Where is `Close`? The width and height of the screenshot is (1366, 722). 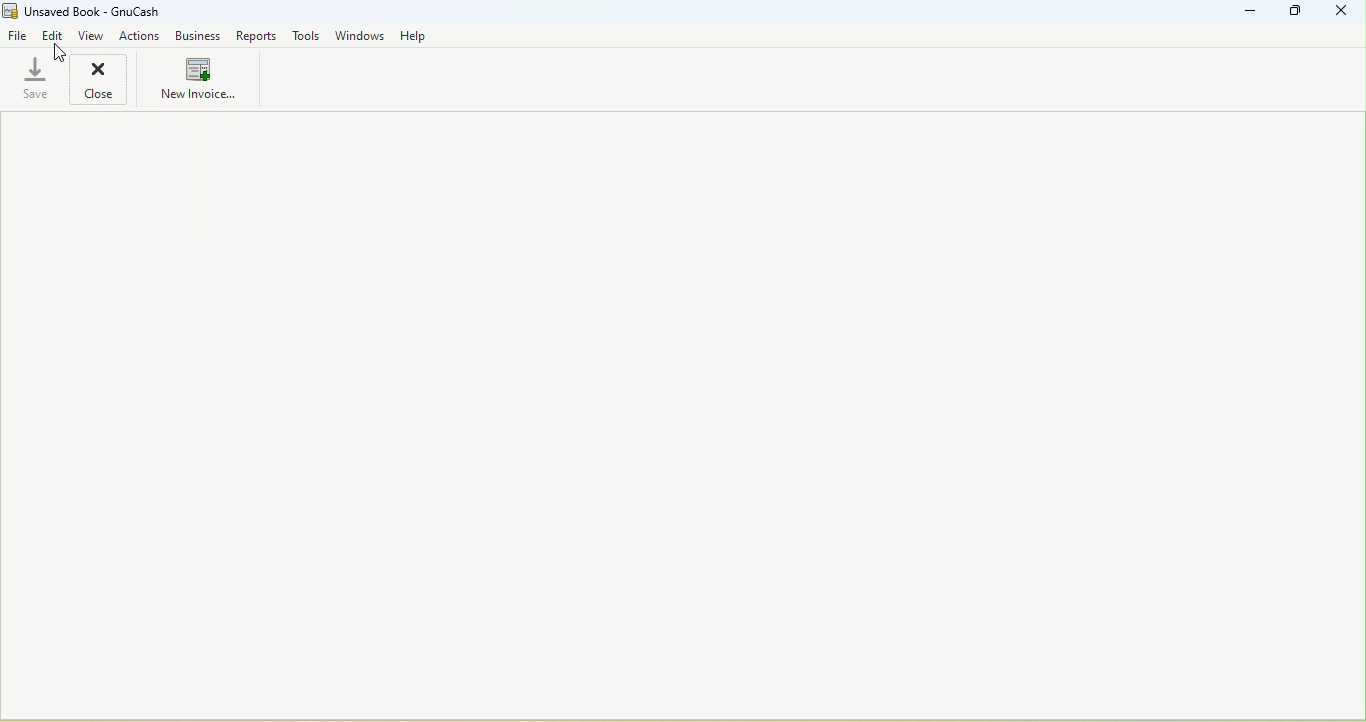
Close is located at coordinates (1342, 12).